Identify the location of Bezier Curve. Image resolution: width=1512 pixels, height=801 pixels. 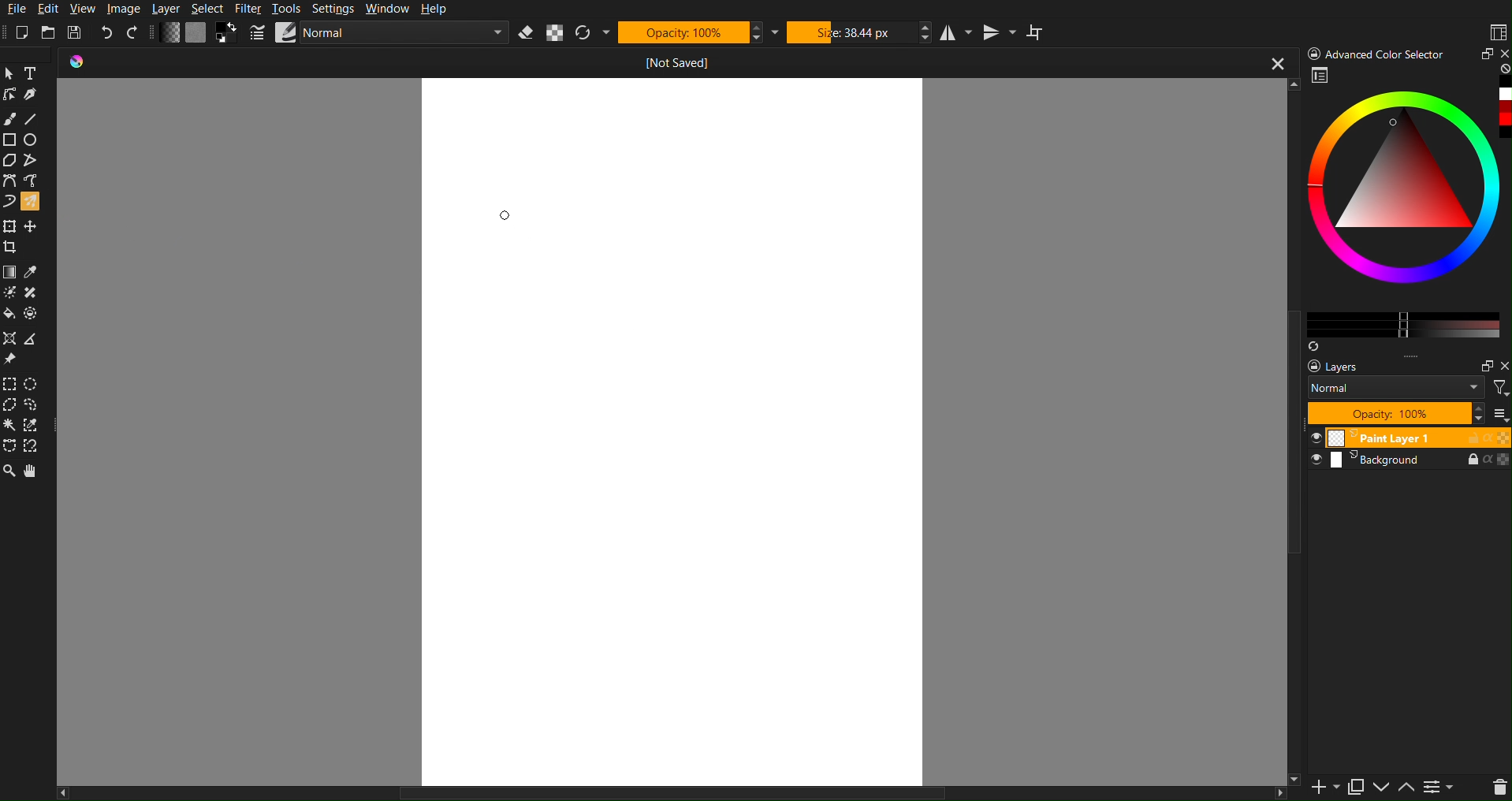
(9, 181).